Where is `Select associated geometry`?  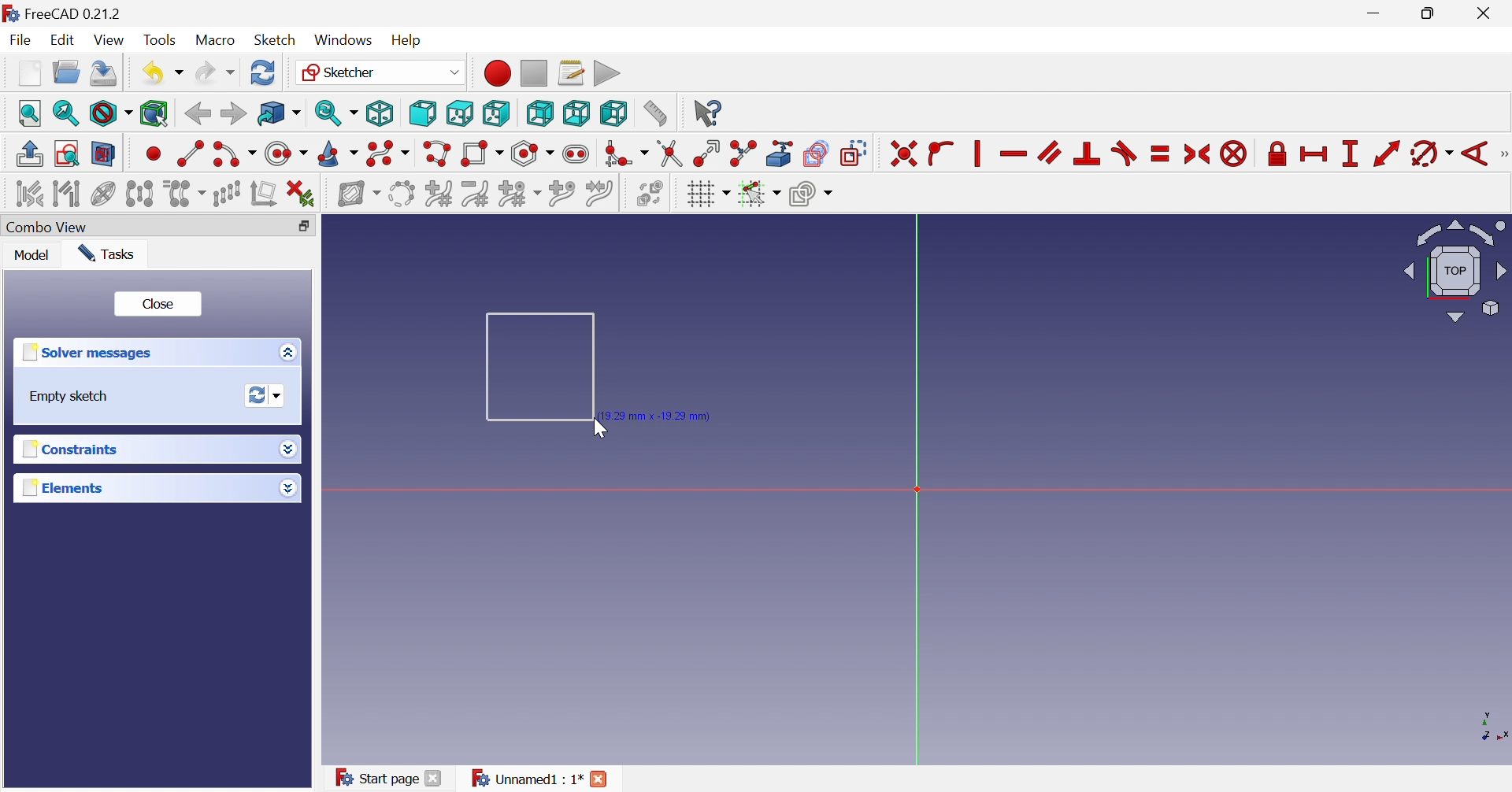 Select associated geometry is located at coordinates (69, 196).